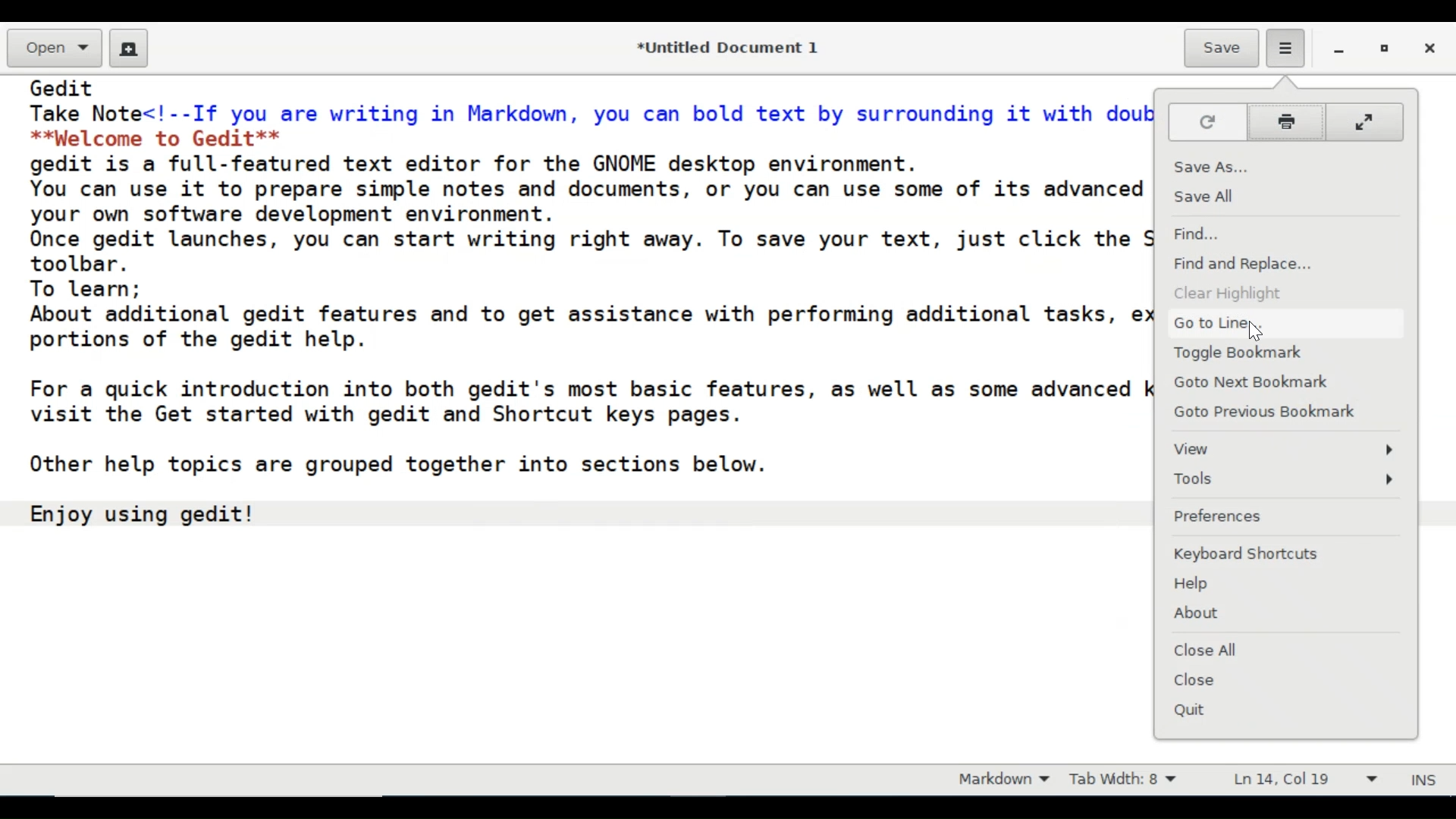 The height and width of the screenshot is (819, 1456). What do you see at coordinates (1428, 49) in the screenshot?
I see `Close` at bounding box center [1428, 49].